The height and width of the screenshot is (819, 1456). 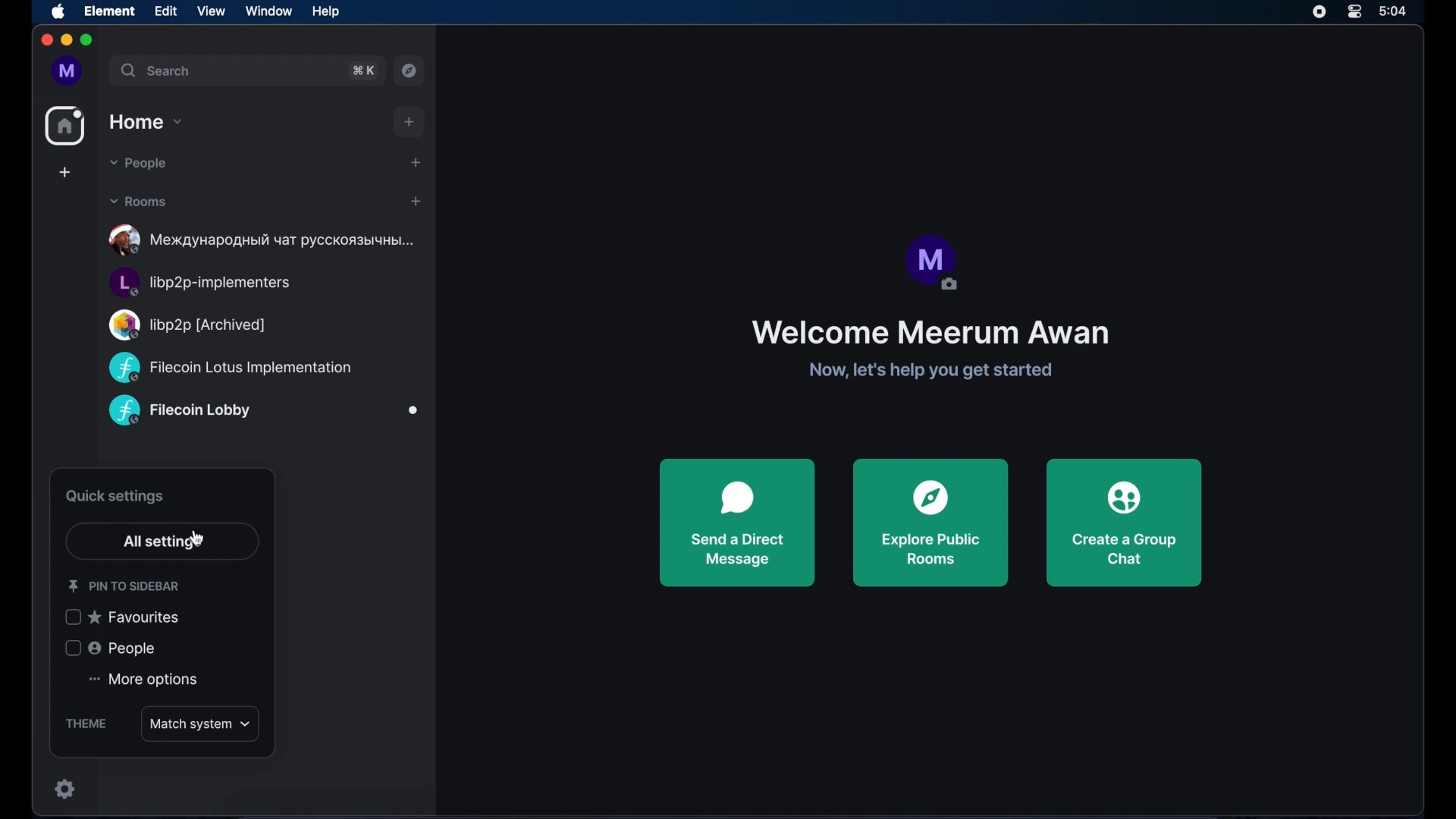 What do you see at coordinates (65, 172) in the screenshot?
I see `create space` at bounding box center [65, 172].